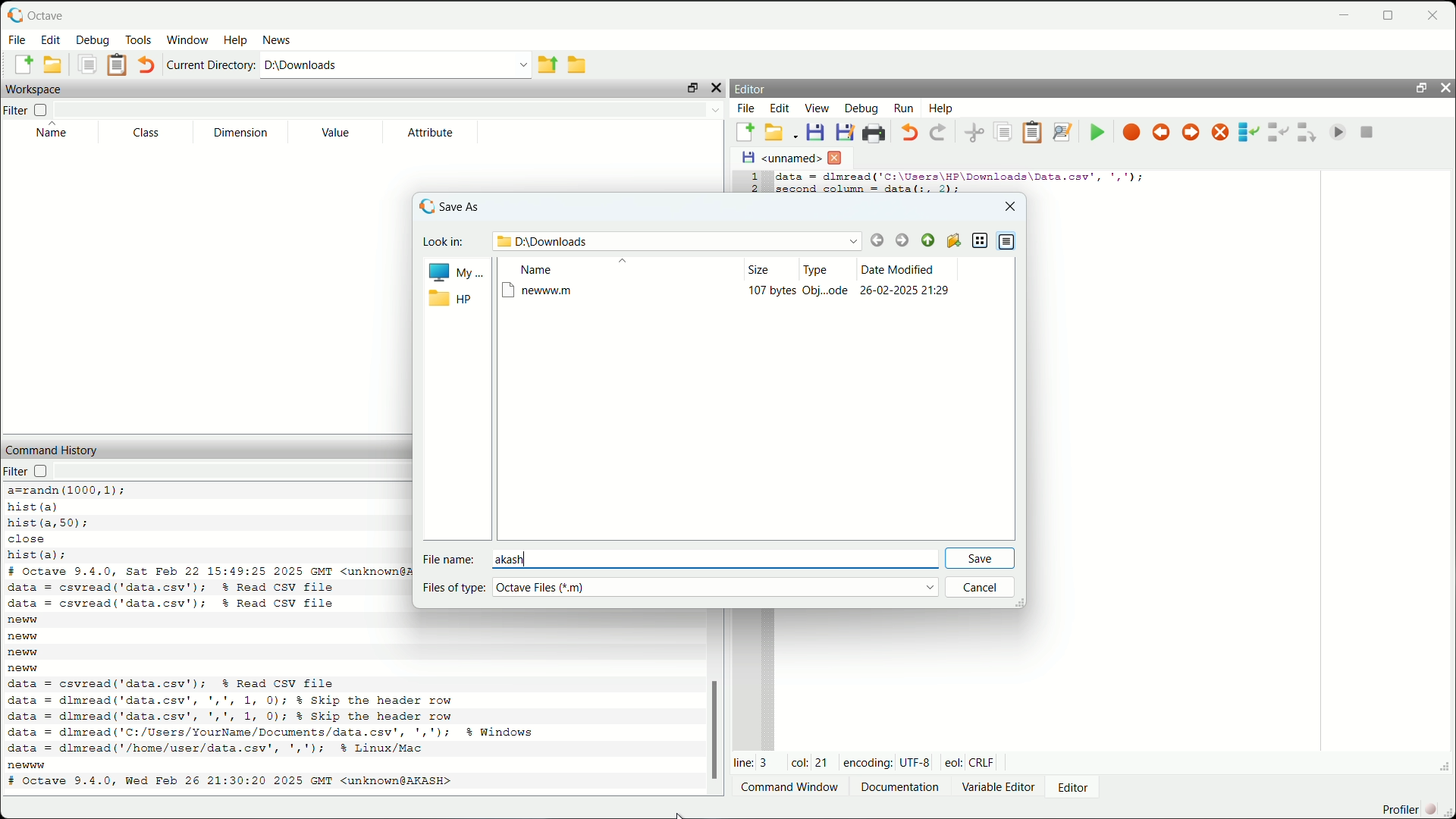 The height and width of the screenshot is (819, 1456). I want to click on files of type, so click(452, 587).